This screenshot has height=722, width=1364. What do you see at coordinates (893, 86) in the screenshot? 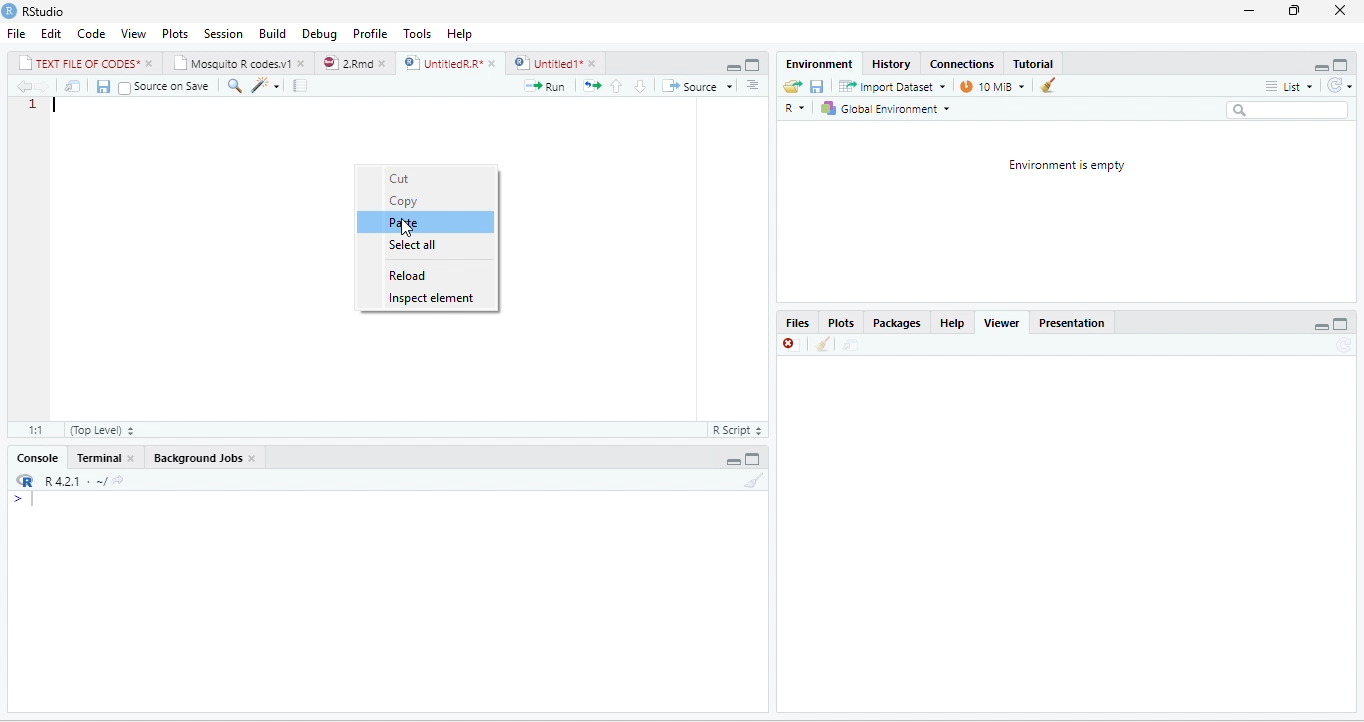
I see ` Import Dataset ` at bounding box center [893, 86].